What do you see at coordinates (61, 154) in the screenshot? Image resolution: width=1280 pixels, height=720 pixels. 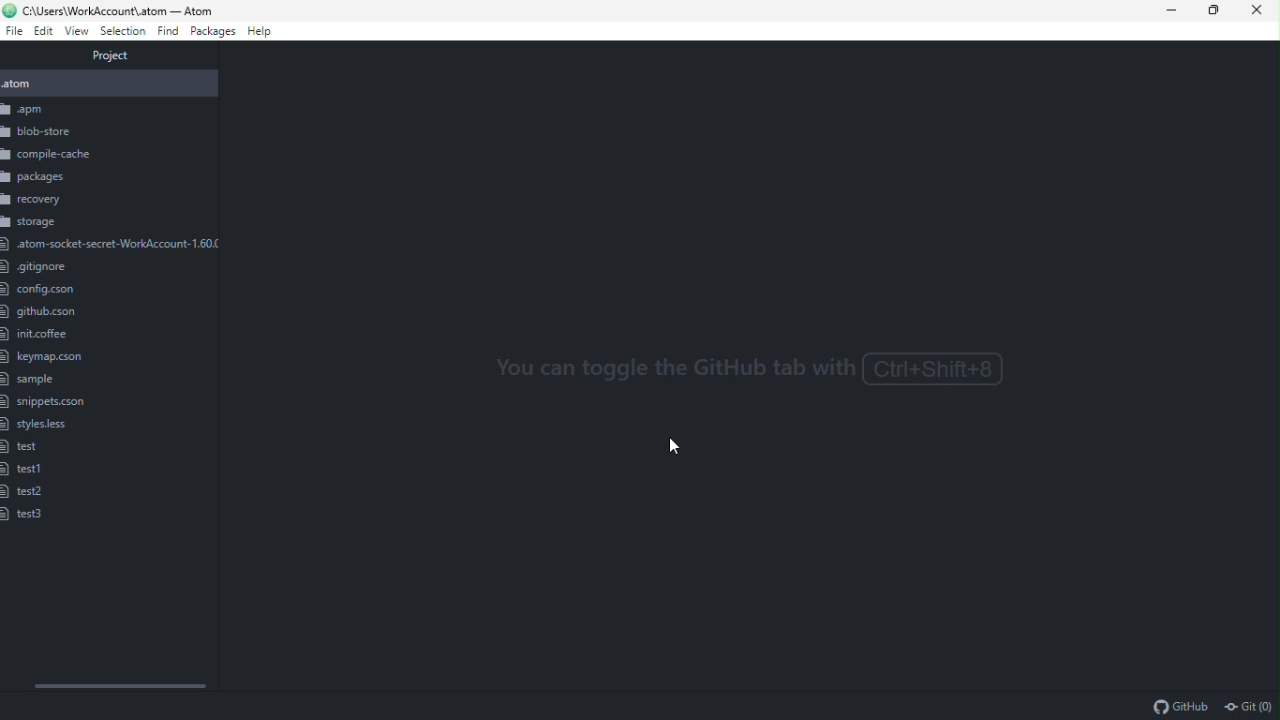 I see `compile-cache` at bounding box center [61, 154].